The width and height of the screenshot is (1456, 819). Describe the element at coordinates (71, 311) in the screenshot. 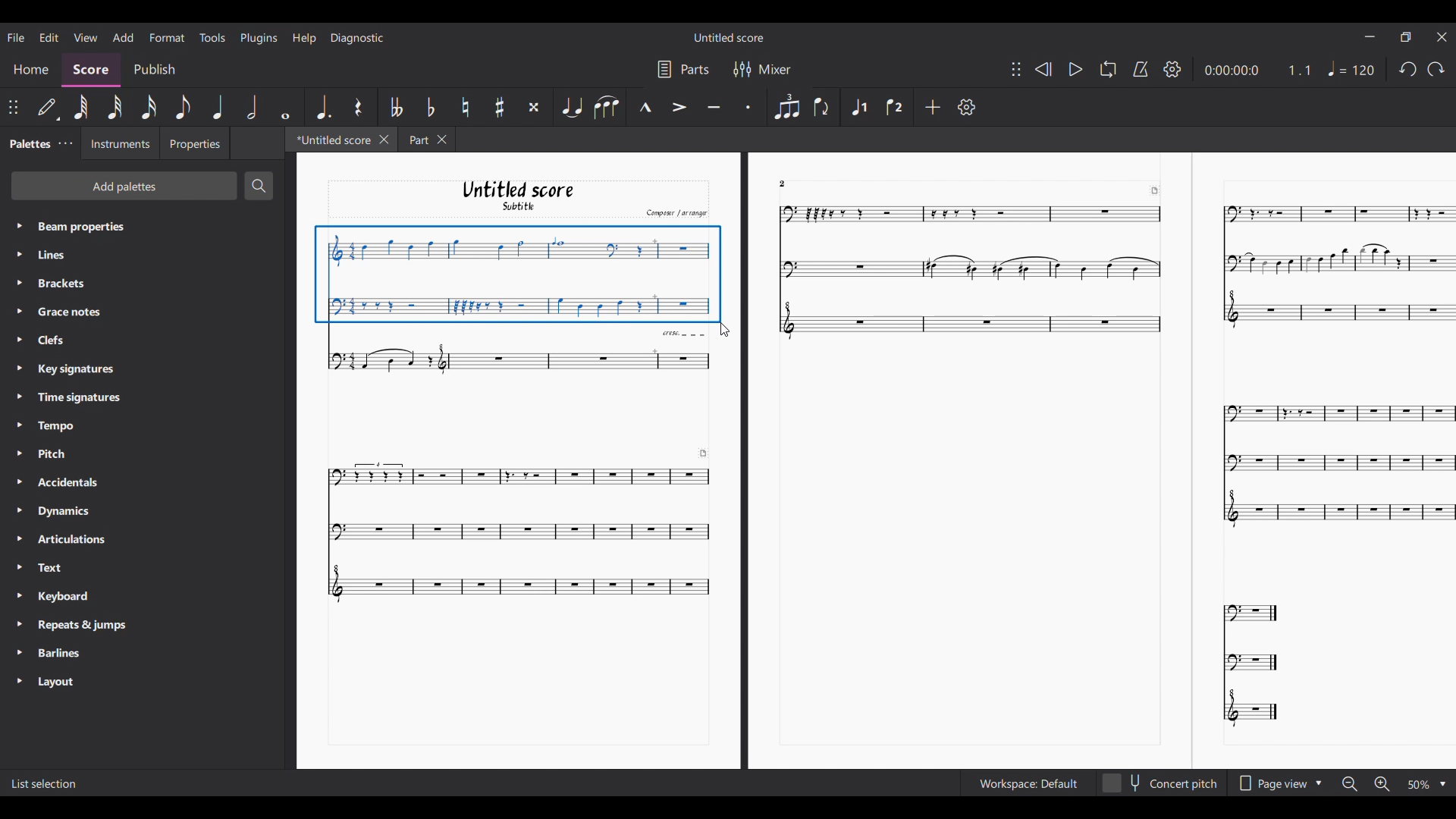

I see `Grace notes` at that location.